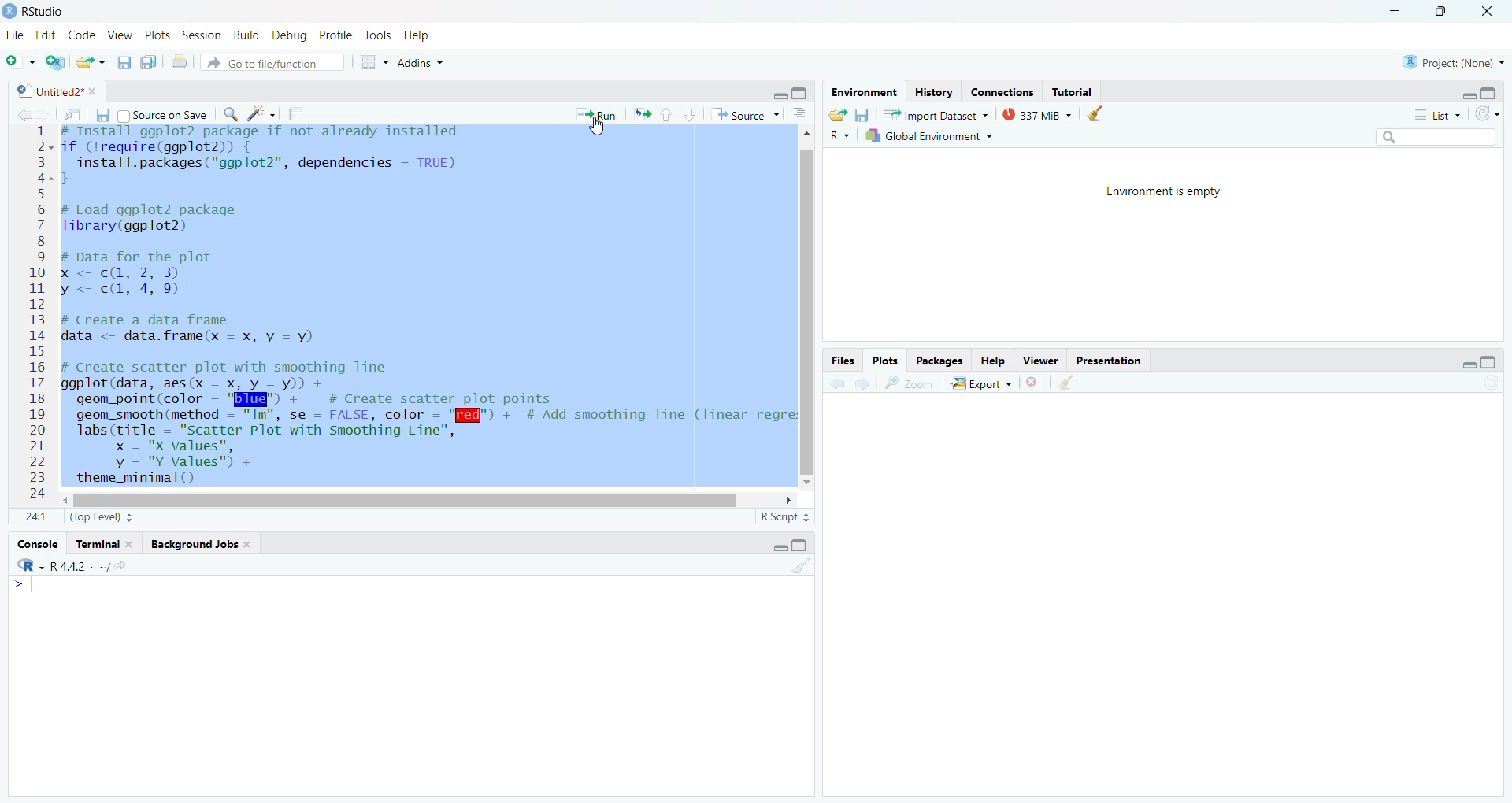 Image resolution: width=1512 pixels, height=803 pixels. Describe the element at coordinates (1042, 116) in the screenshot. I see `337 mb` at that location.